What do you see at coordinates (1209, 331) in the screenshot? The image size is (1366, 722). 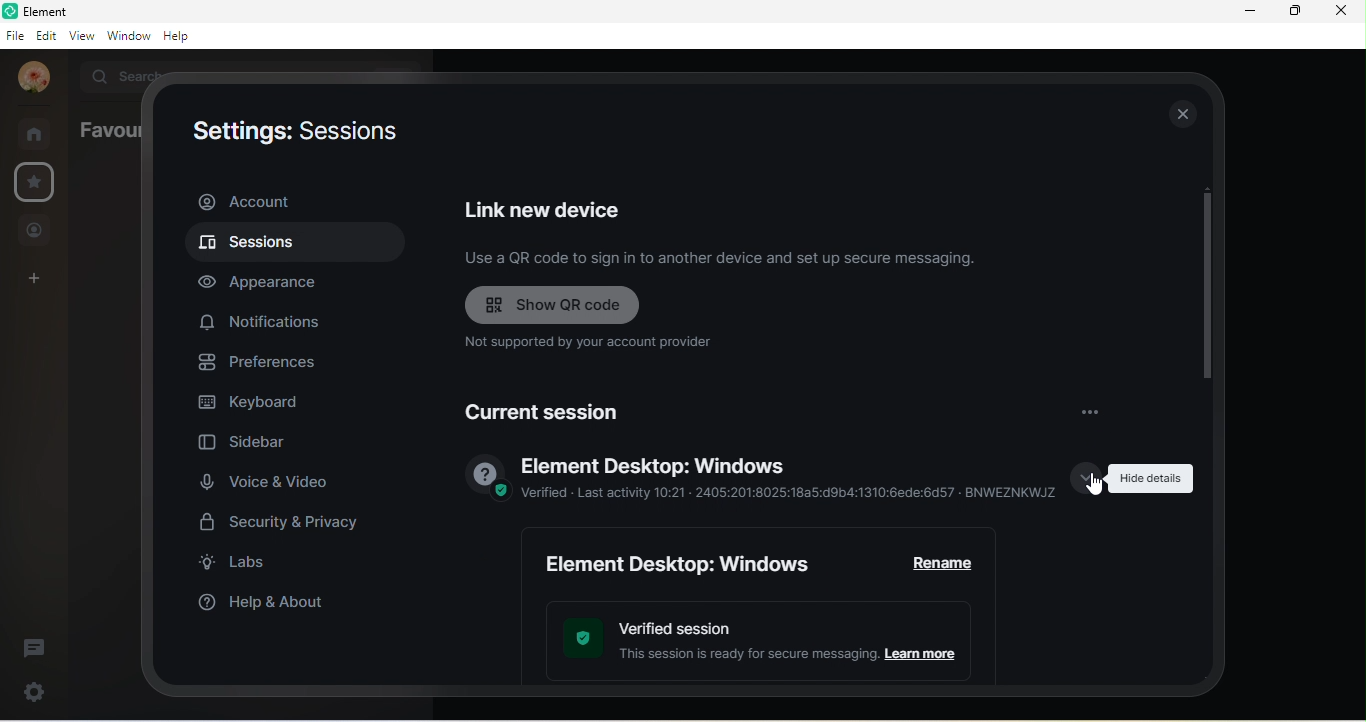 I see `vertical scroll bar` at bounding box center [1209, 331].